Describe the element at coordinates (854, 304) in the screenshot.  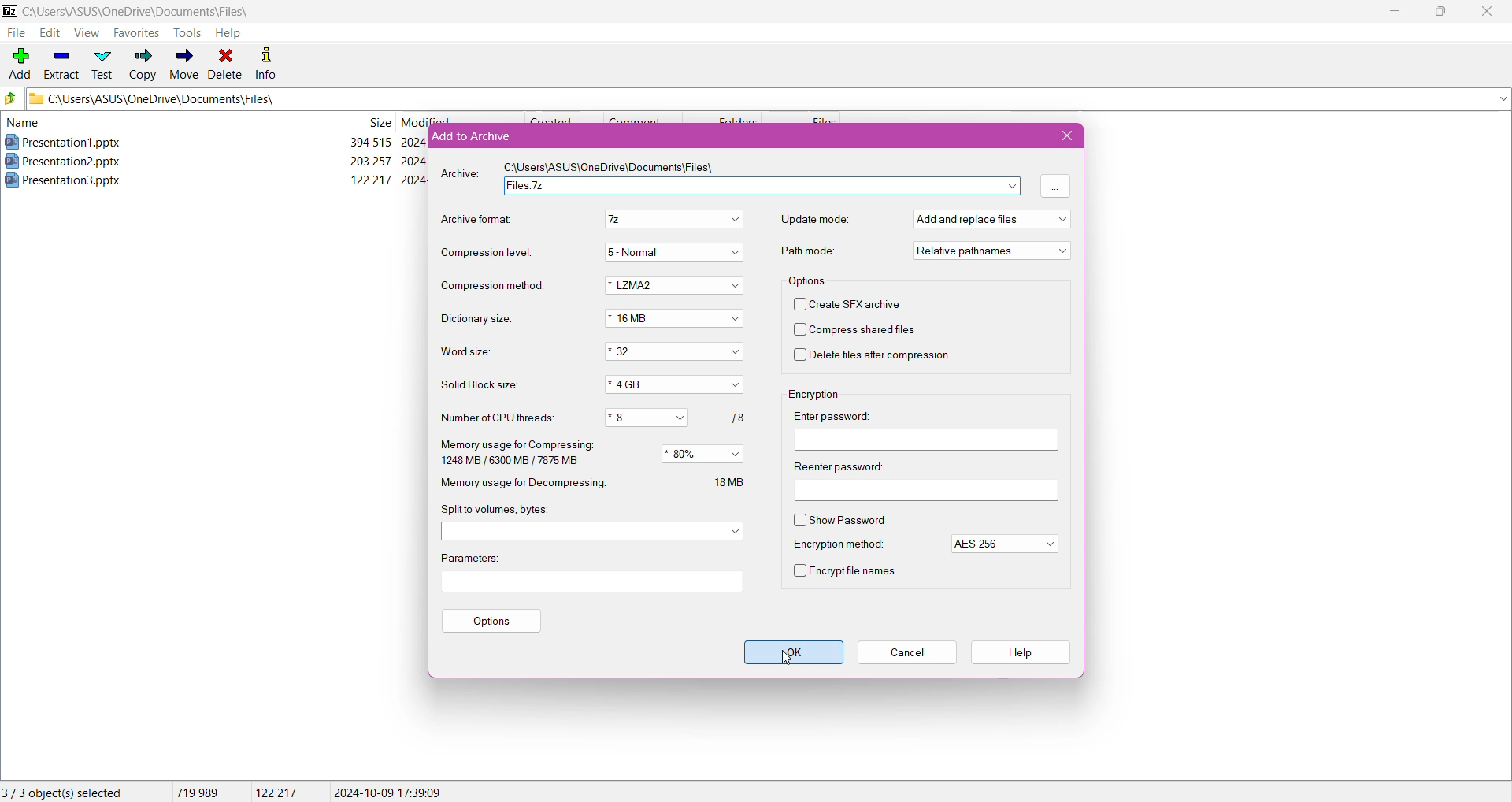
I see `Create SFX Archive` at that location.